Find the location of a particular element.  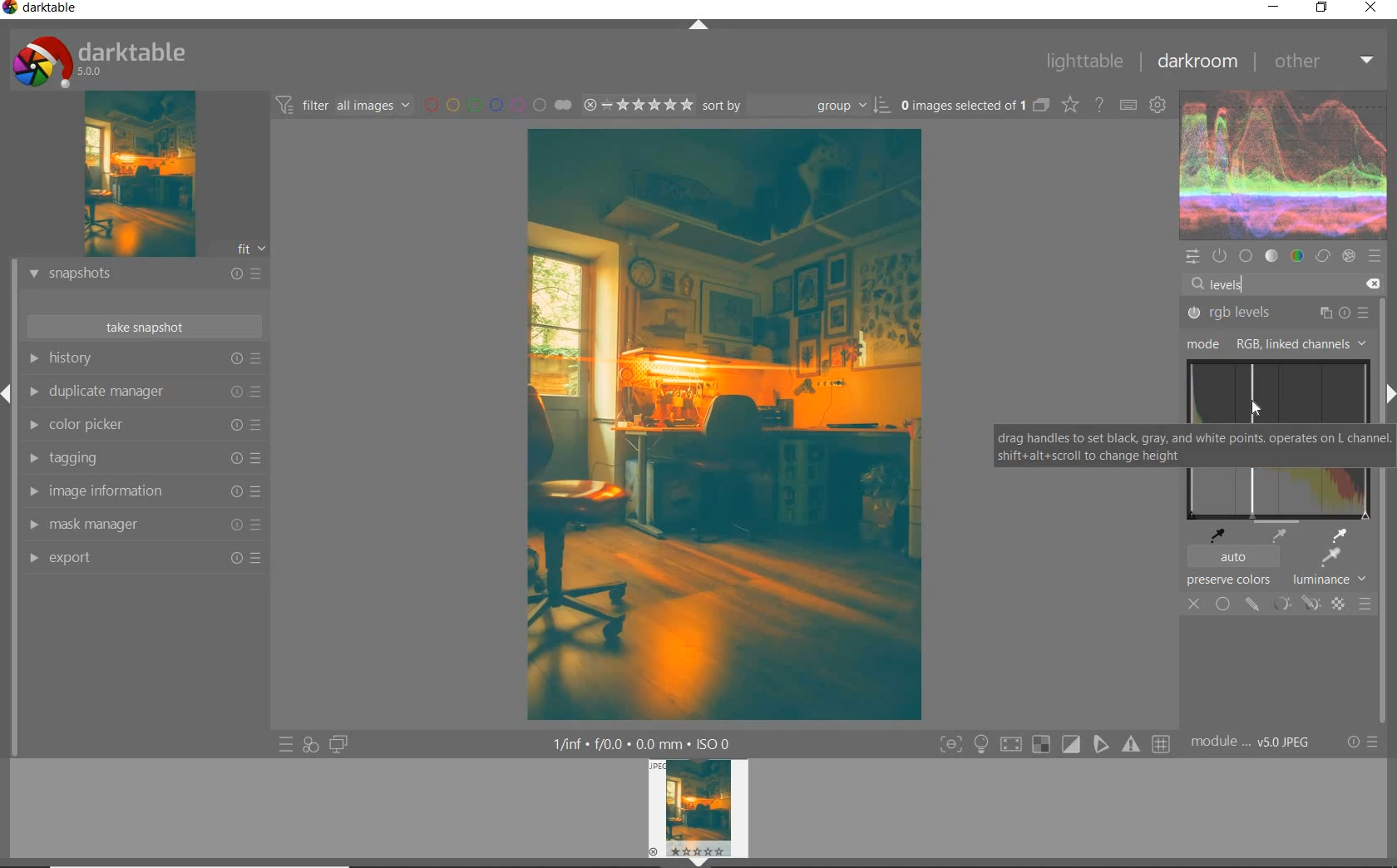

toggle modes is located at coordinates (1050, 743).